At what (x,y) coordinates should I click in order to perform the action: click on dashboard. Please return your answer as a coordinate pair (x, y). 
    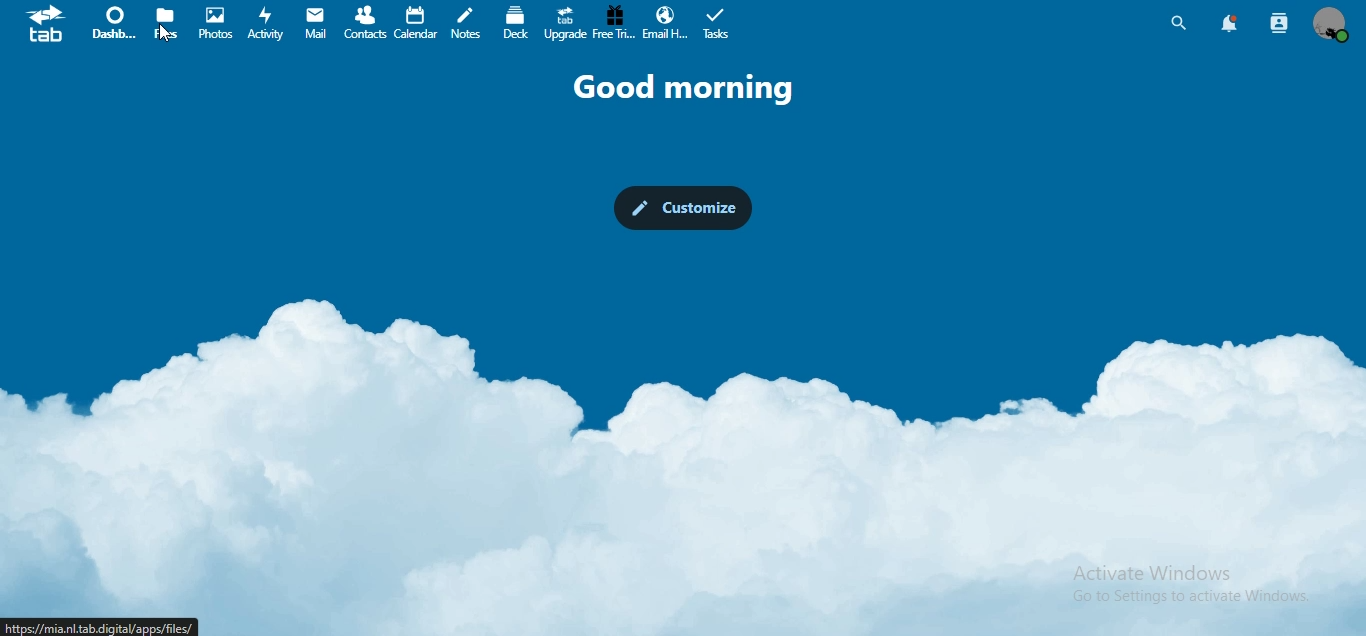
    Looking at the image, I should click on (114, 27).